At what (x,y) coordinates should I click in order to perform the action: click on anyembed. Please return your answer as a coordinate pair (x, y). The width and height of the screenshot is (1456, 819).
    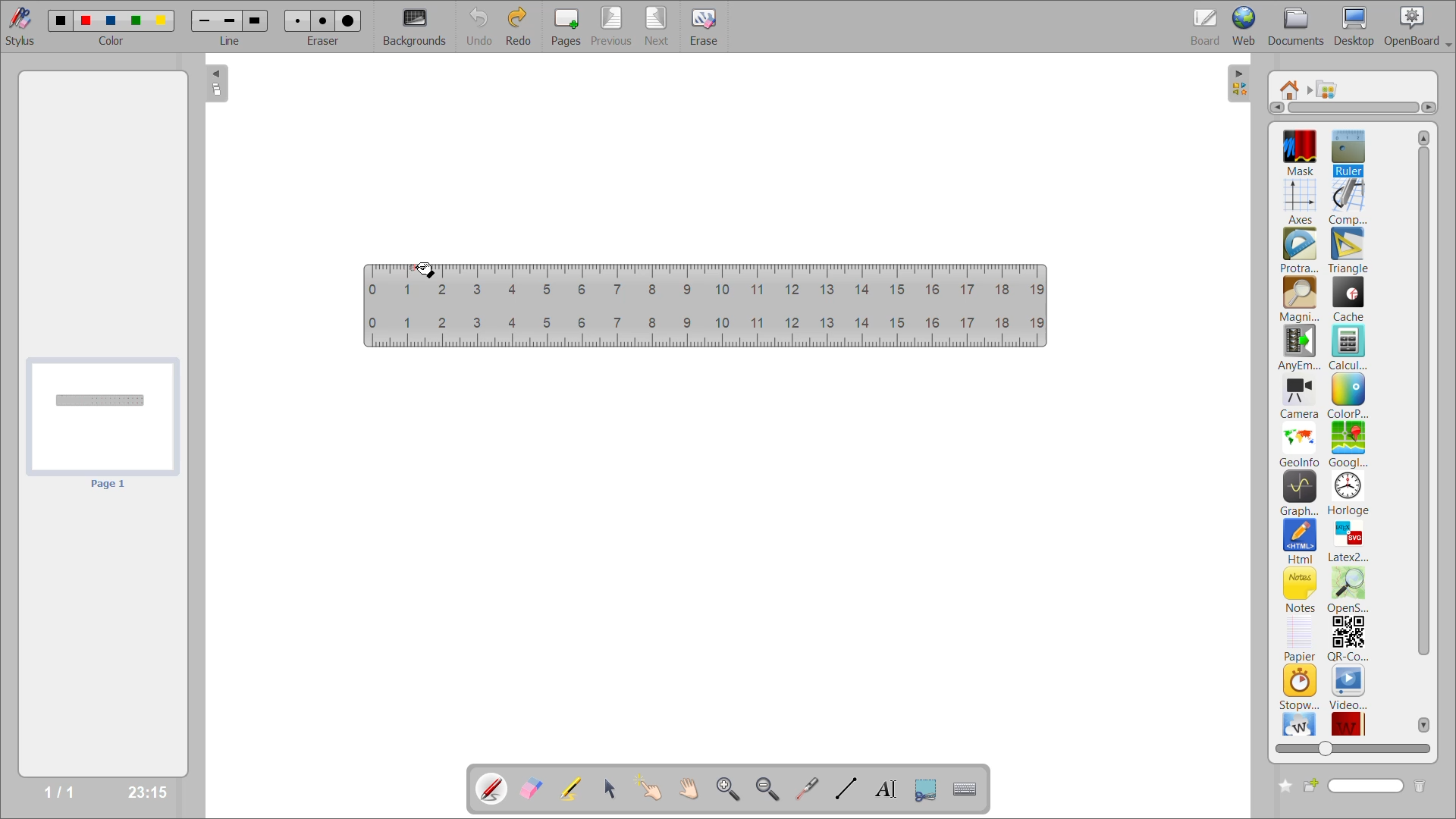
    Looking at the image, I should click on (1301, 348).